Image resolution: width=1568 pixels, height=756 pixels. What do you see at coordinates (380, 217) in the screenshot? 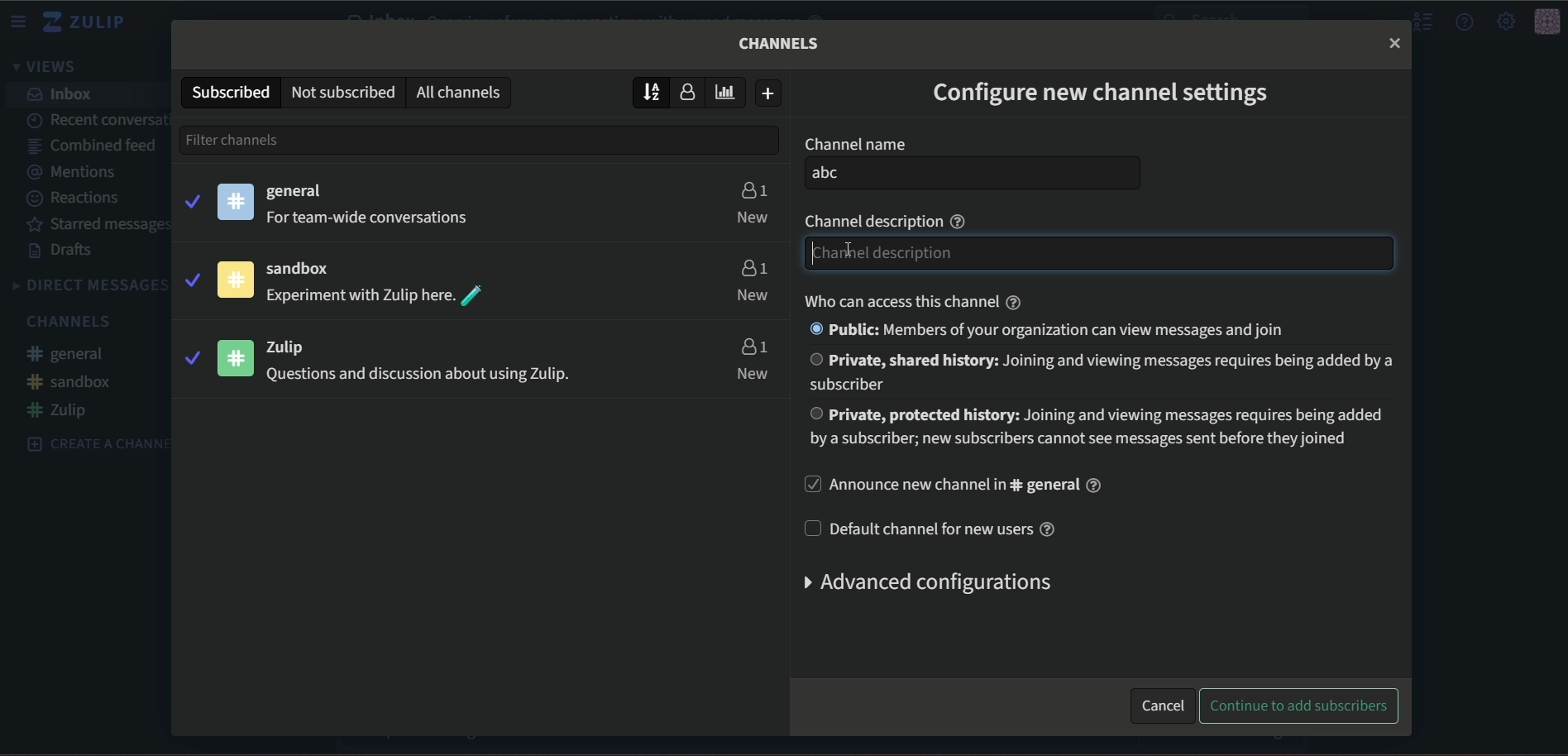
I see `For team-wide conversations` at bounding box center [380, 217].